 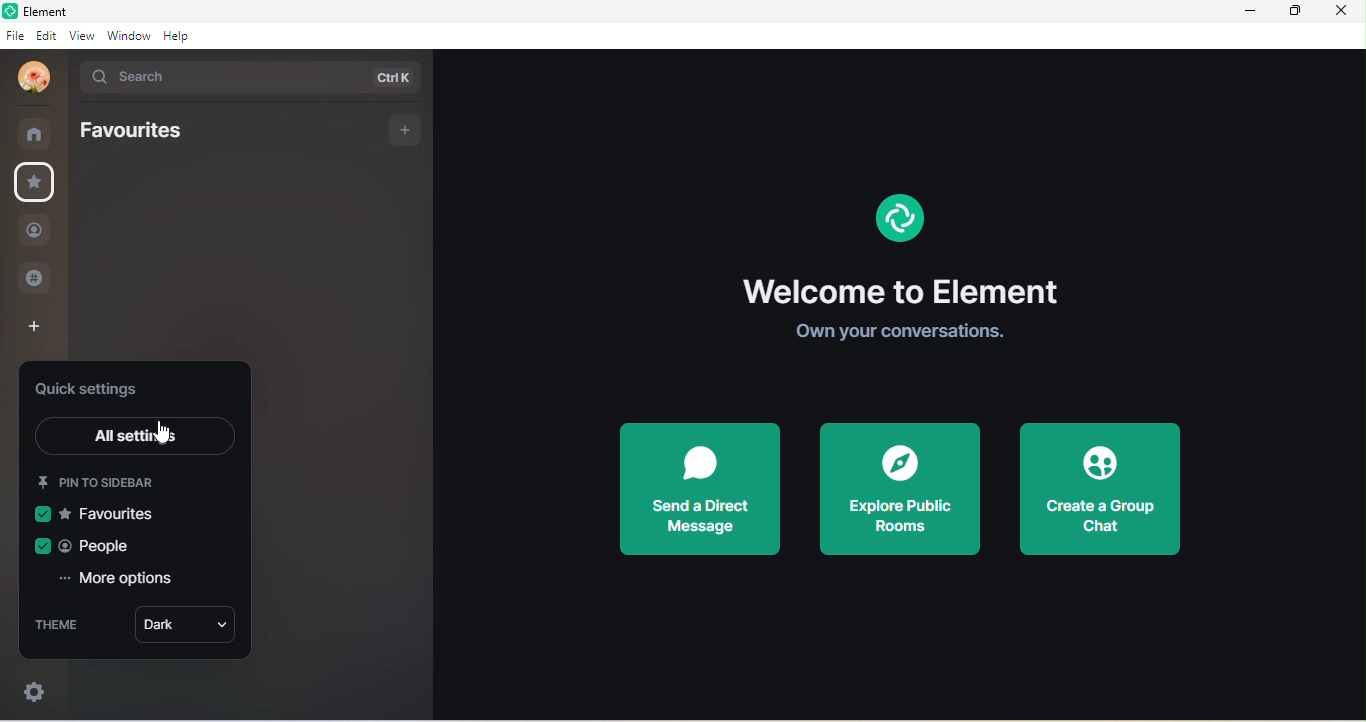 I want to click on drop down, so click(x=70, y=75).